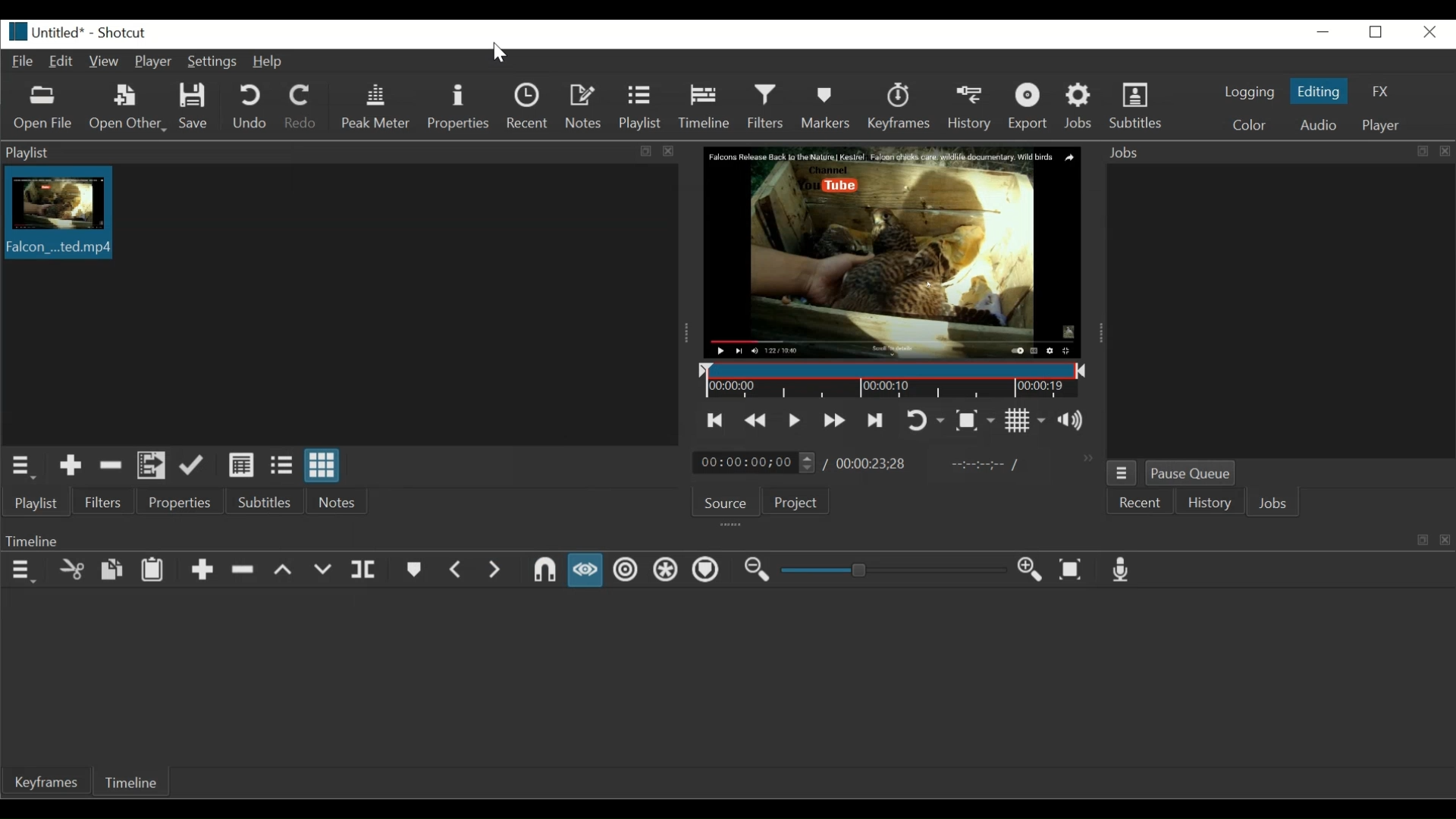 Image resolution: width=1456 pixels, height=819 pixels. What do you see at coordinates (626, 570) in the screenshot?
I see `Ripple` at bounding box center [626, 570].